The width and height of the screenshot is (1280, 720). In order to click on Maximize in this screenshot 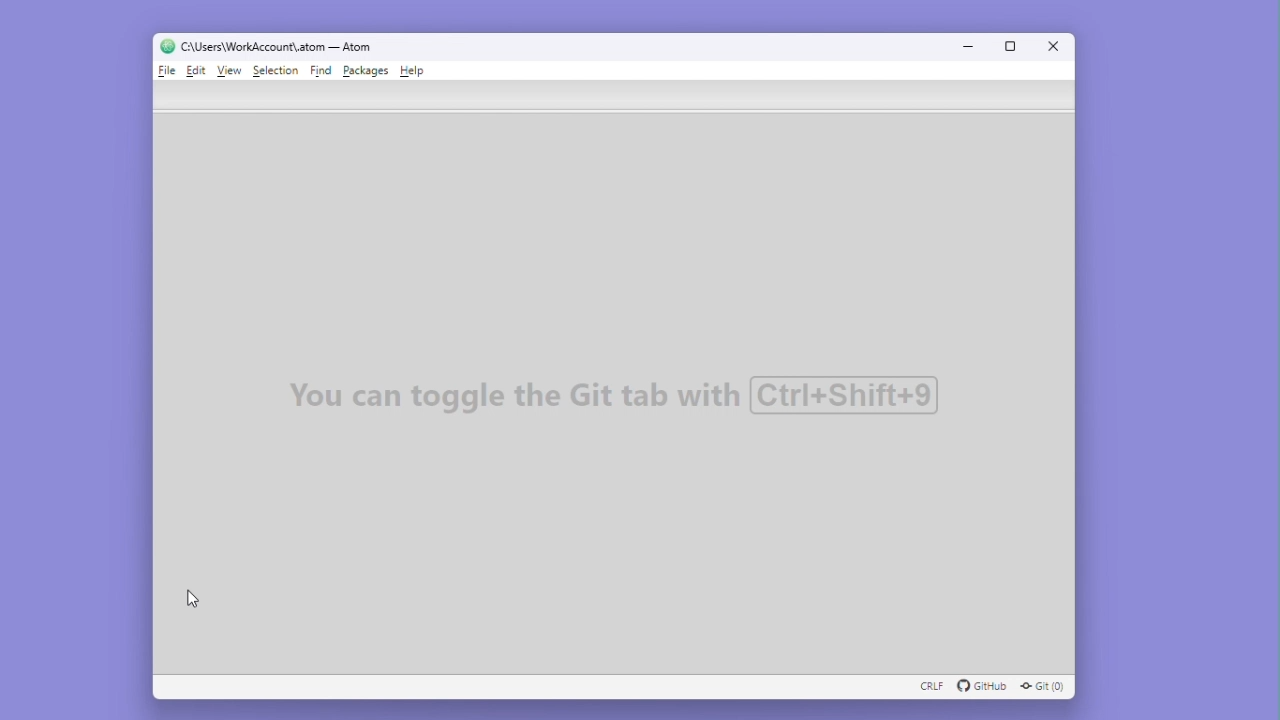, I will do `click(1009, 48)`.